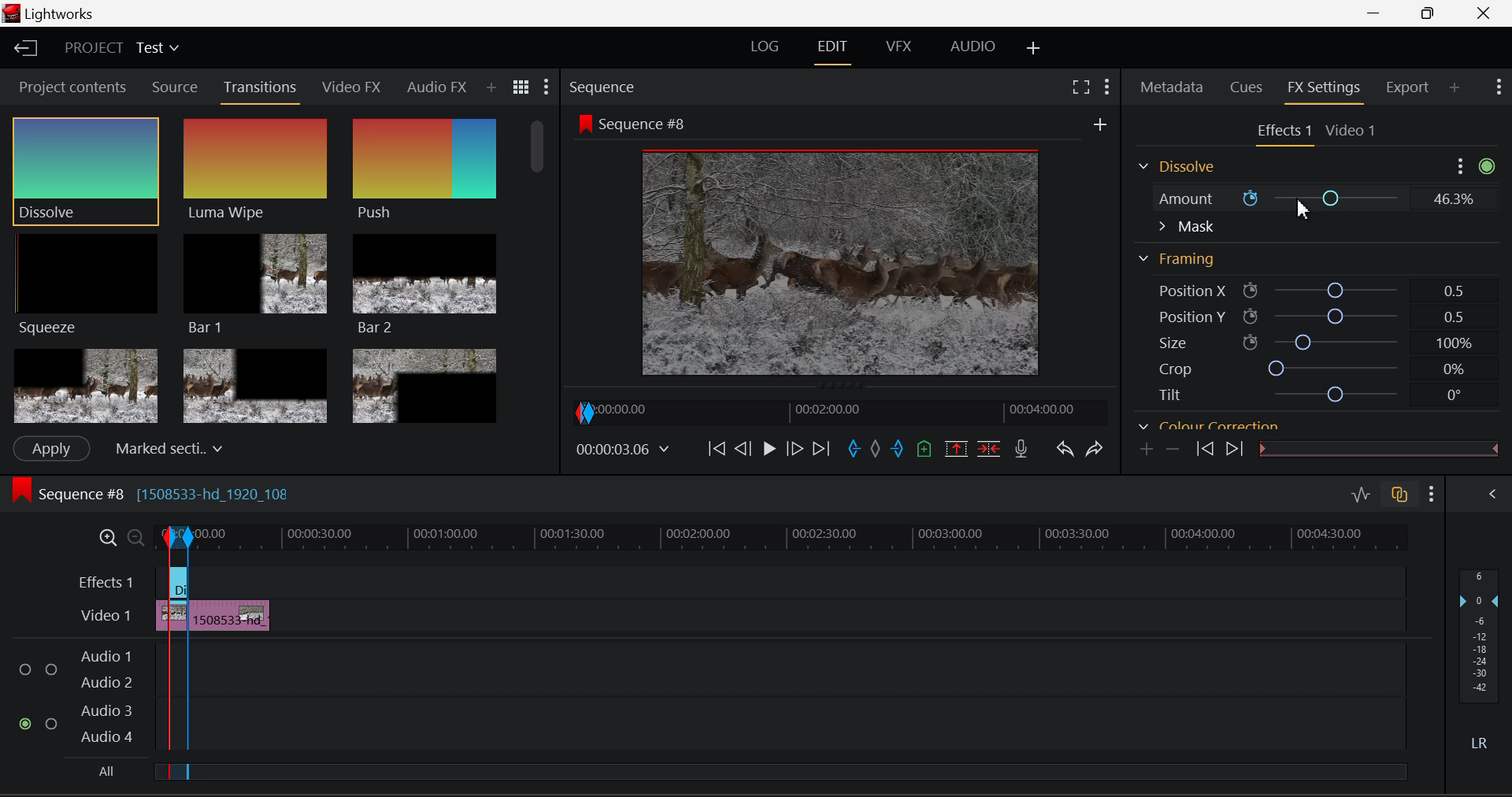  Describe the element at coordinates (107, 581) in the screenshot. I see `Effects 1` at that location.